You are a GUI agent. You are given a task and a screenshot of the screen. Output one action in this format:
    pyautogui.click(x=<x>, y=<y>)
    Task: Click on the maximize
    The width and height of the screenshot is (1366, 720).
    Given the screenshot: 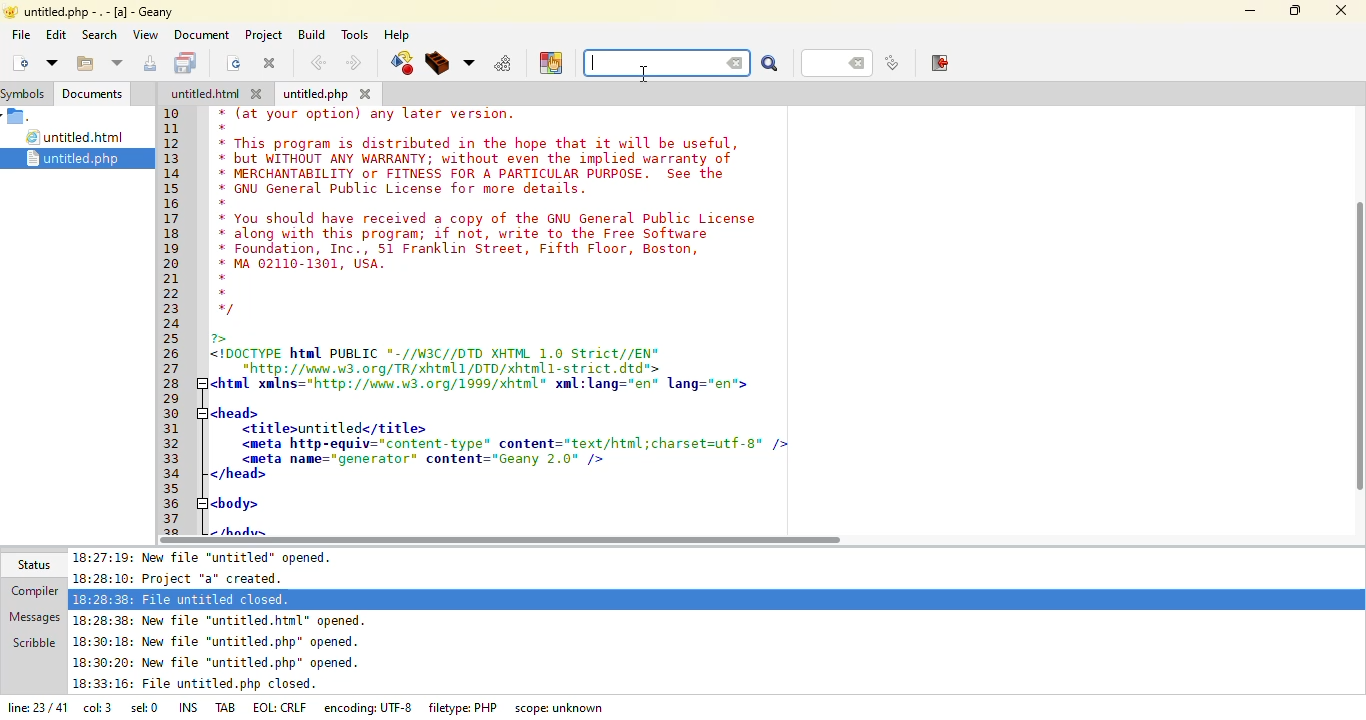 What is the action you would take?
    pyautogui.click(x=1296, y=10)
    